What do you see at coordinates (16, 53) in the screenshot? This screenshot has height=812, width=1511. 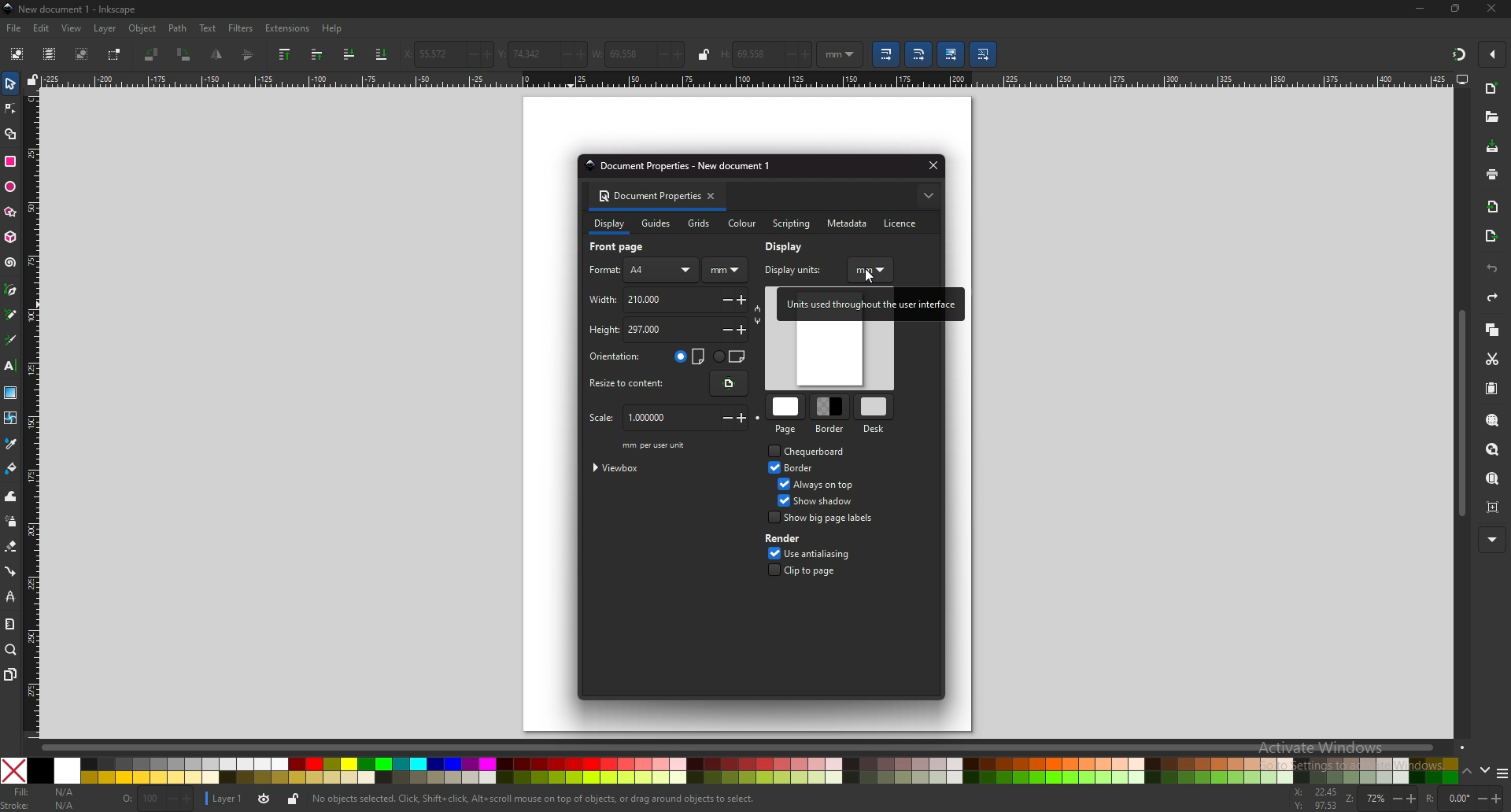 I see `select all objects` at bounding box center [16, 53].